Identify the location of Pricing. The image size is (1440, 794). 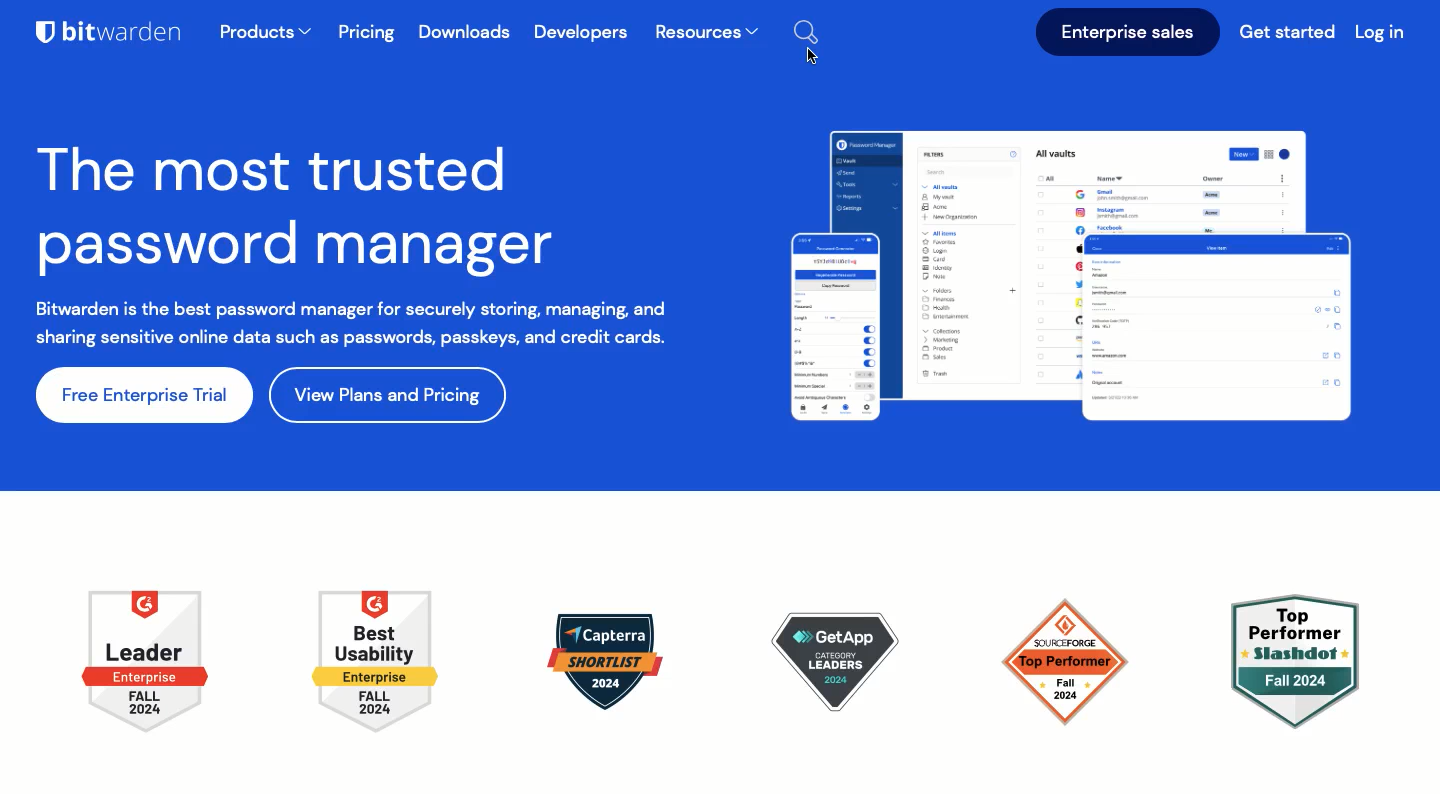
(368, 33).